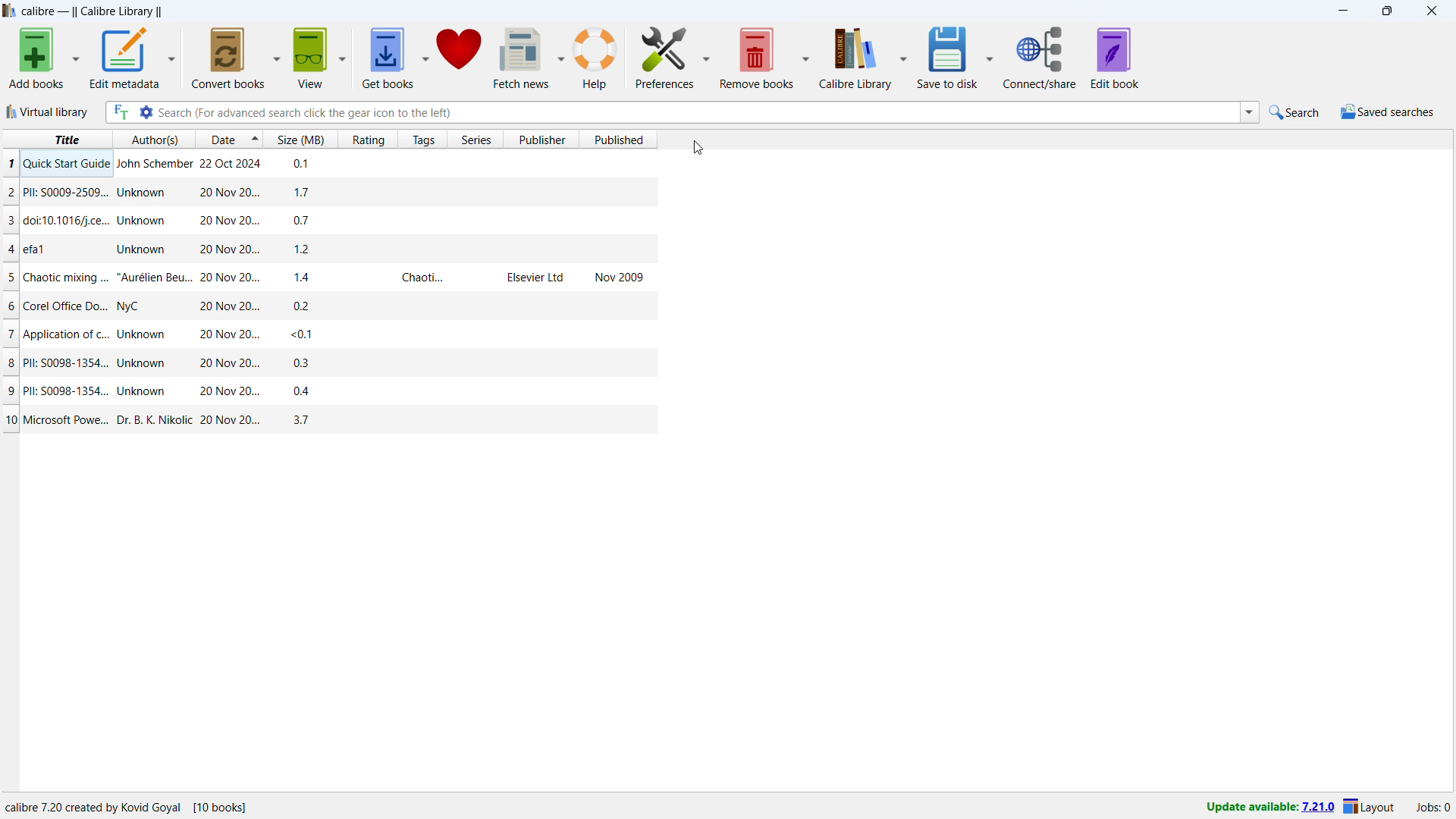 The height and width of the screenshot is (819, 1456). What do you see at coordinates (1370, 806) in the screenshot?
I see `layout` at bounding box center [1370, 806].